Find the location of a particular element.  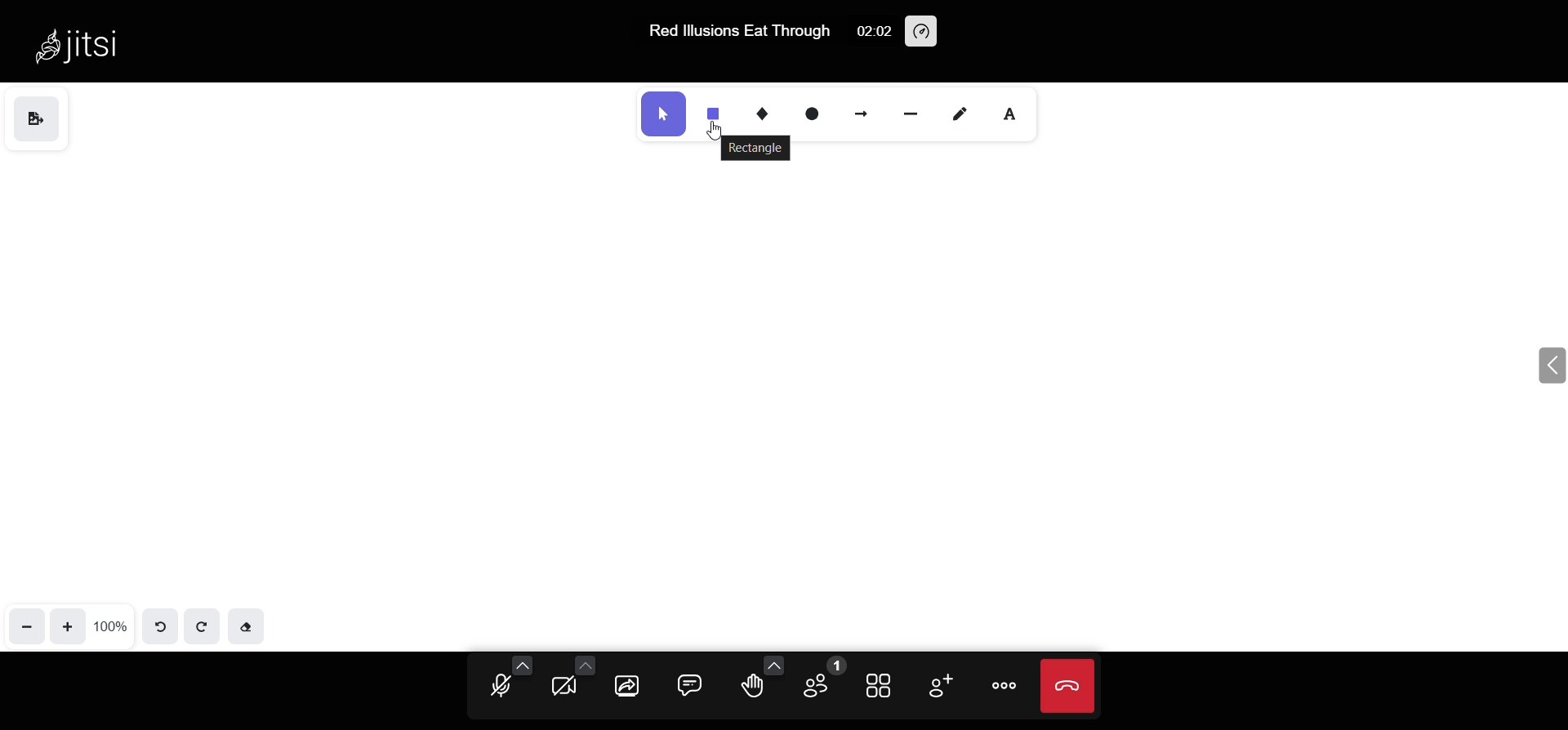

zoom out is located at coordinates (26, 625).